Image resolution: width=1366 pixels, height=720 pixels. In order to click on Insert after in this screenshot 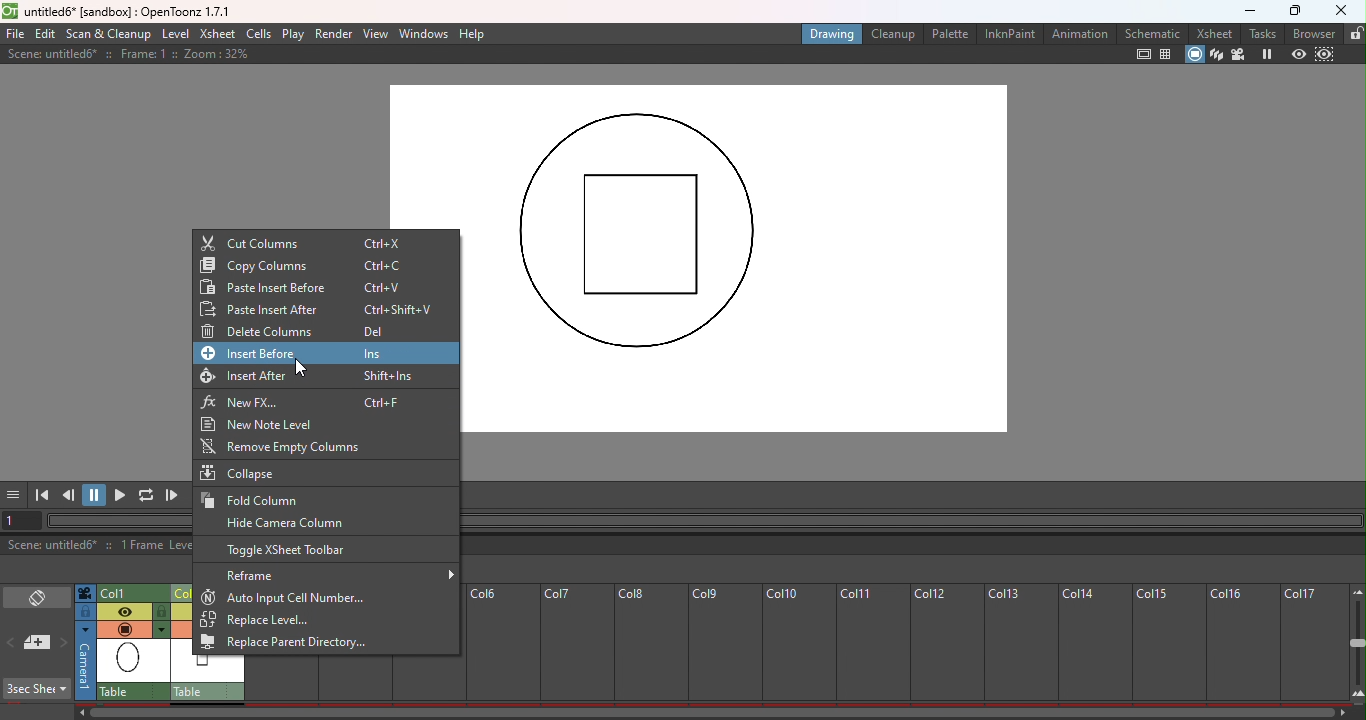, I will do `click(319, 376)`.